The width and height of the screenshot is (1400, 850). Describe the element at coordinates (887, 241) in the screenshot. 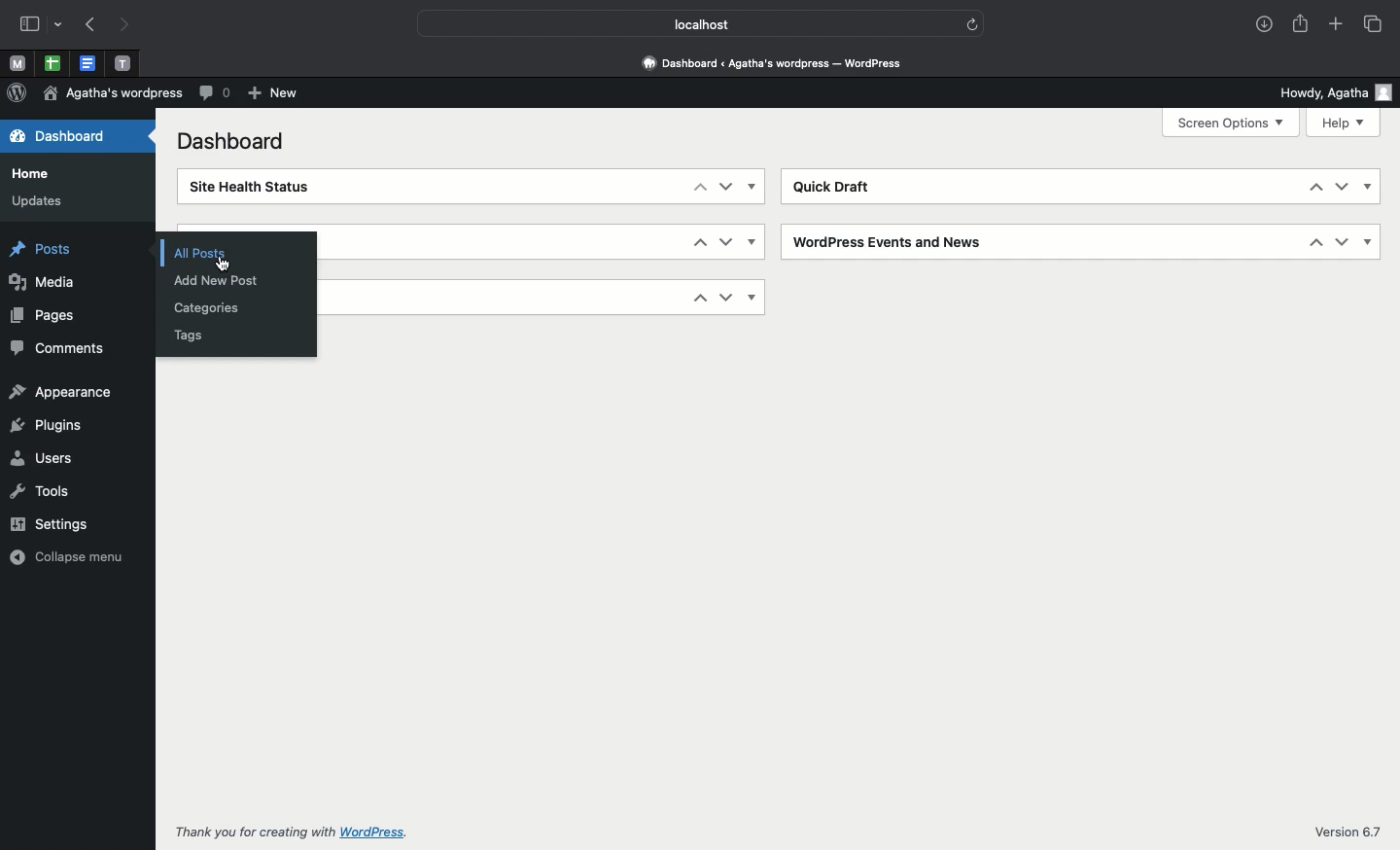

I see `WordPress events and news` at that location.